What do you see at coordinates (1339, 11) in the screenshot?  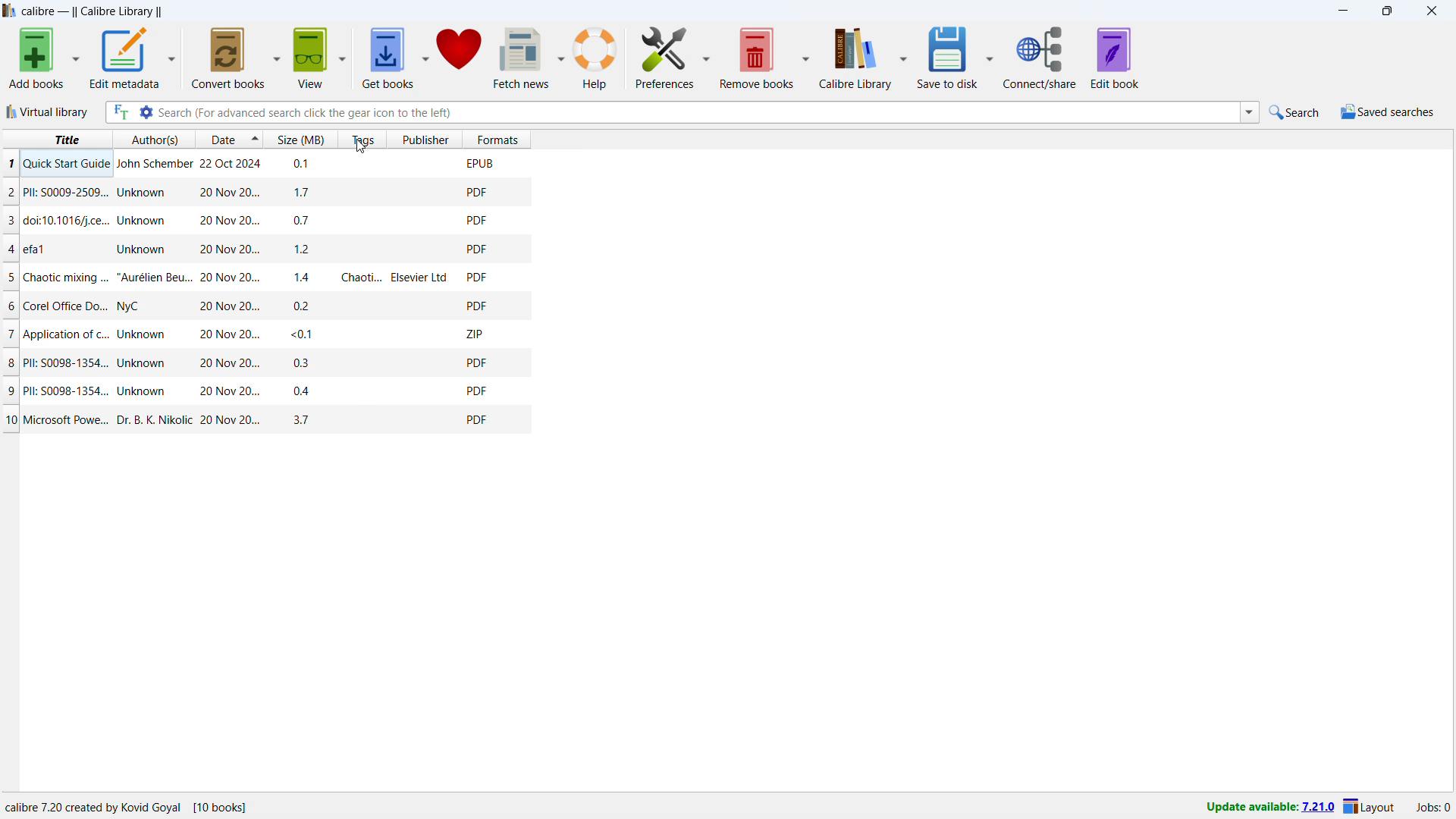 I see `minimize` at bounding box center [1339, 11].